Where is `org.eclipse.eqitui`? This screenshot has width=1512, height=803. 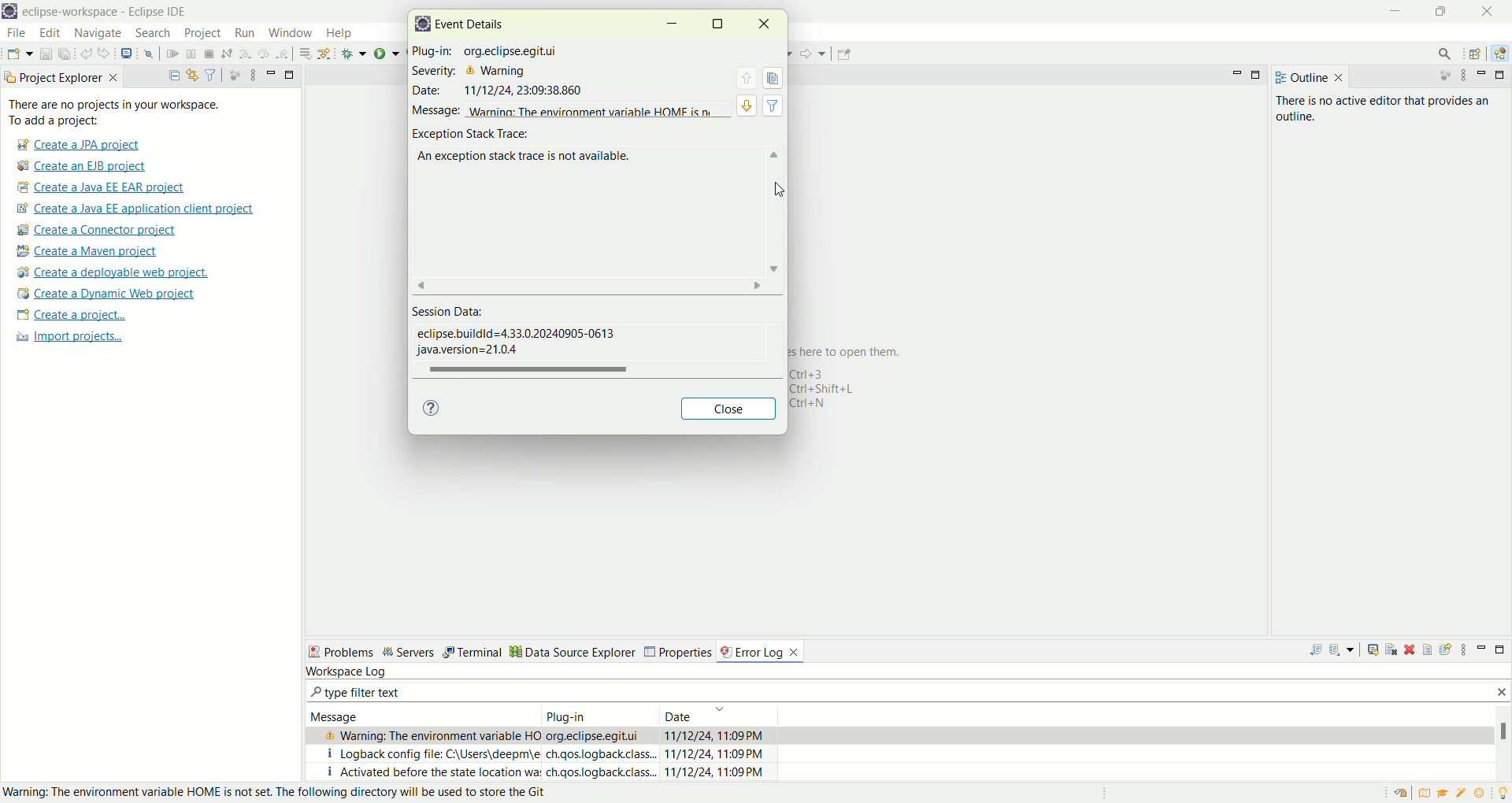 org.eclipse.eqitui is located at coordinates (509, 51).